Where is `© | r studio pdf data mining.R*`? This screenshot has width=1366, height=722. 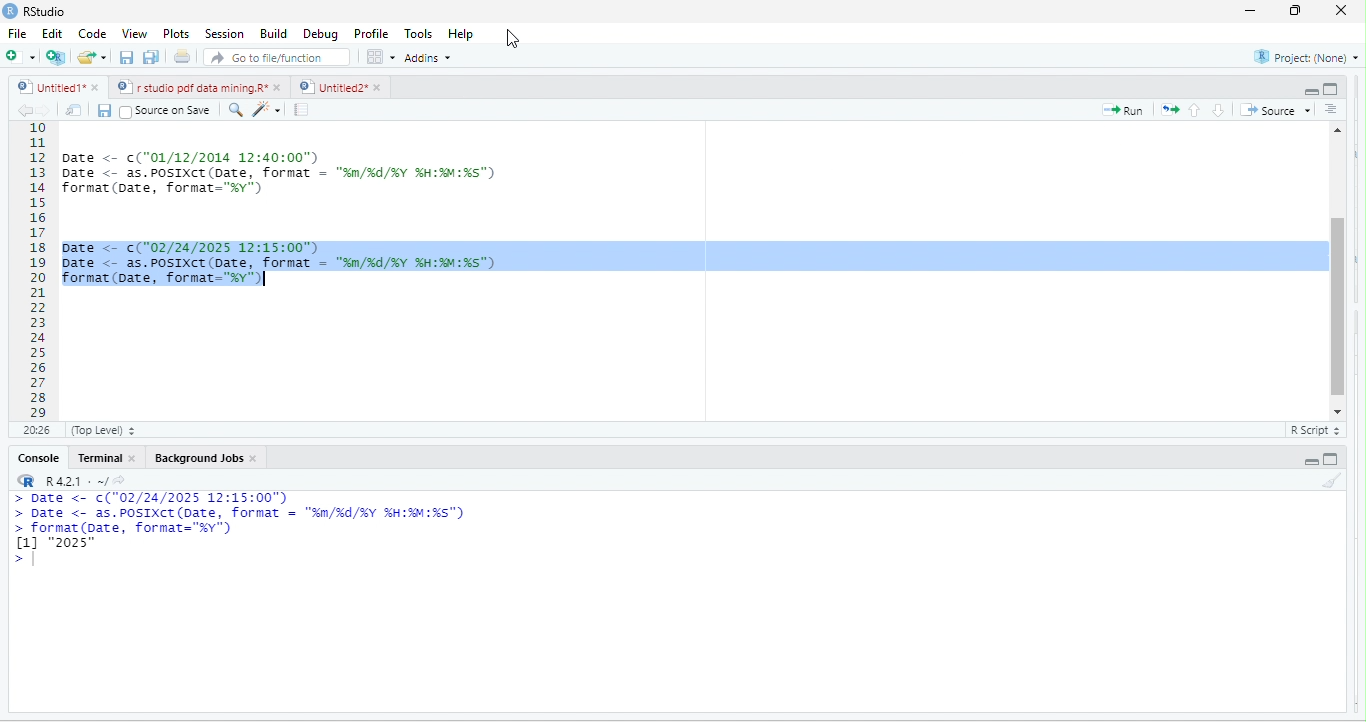
© | r studio pdf data mining.R* is located at coordinates (193, 88).